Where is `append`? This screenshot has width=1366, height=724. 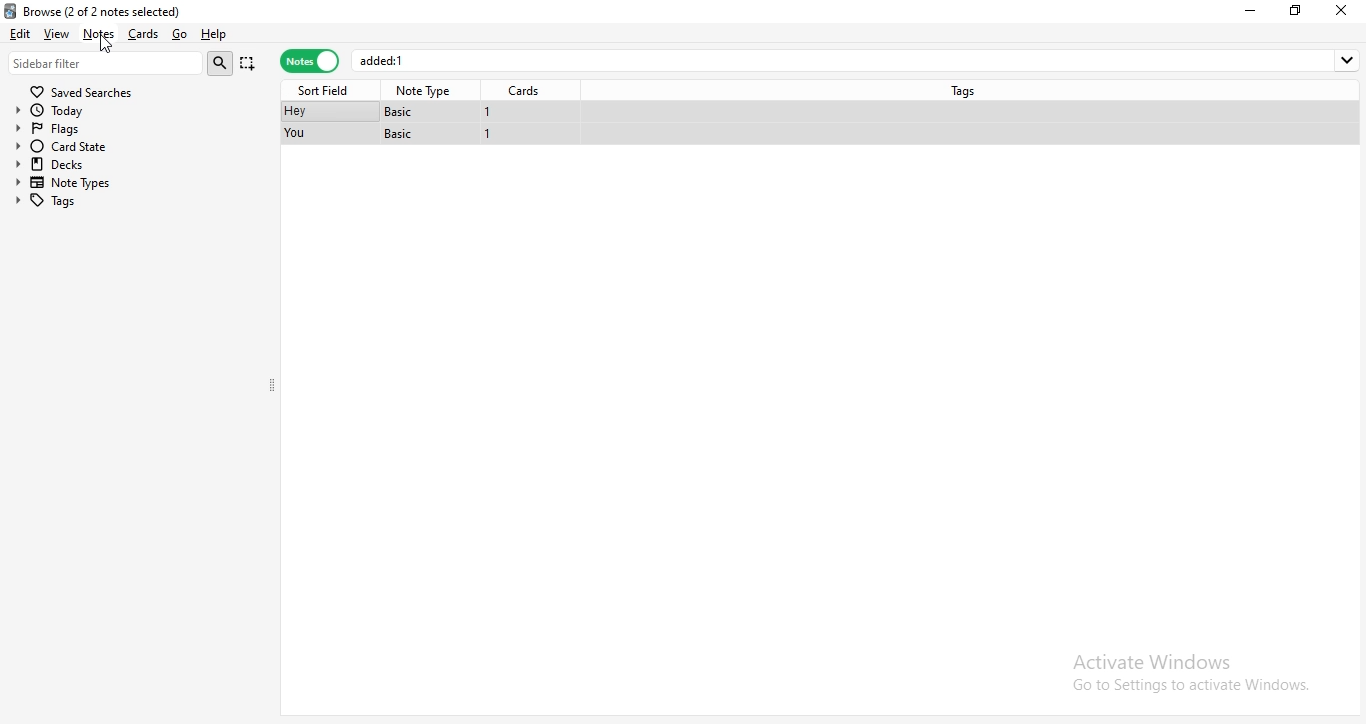 append is located at coordinates (249, 65).